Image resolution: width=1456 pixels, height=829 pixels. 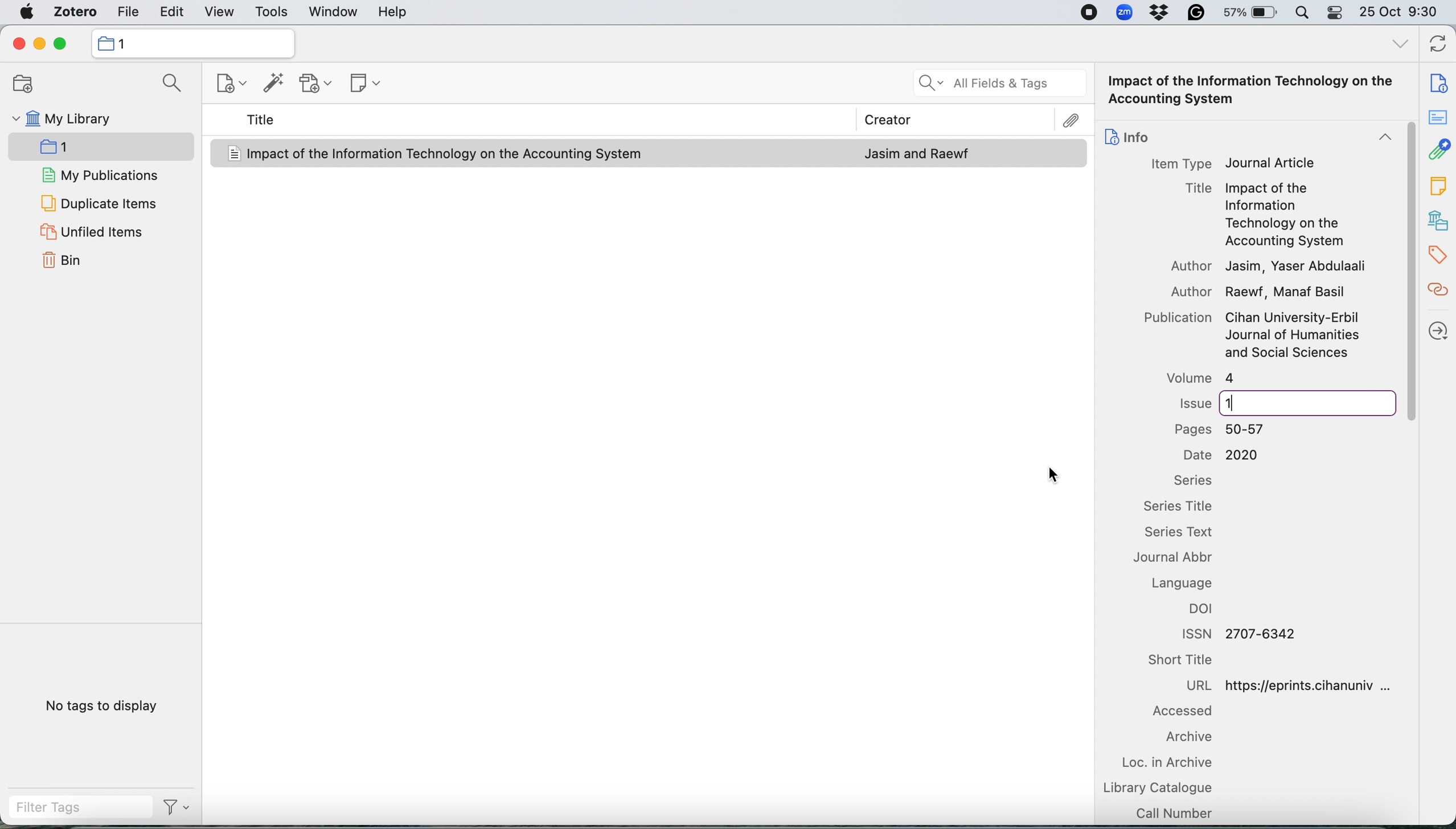 What do you see at coordinates (1183, 738) in the screenshot?
I see `archive` at bounding box center [1183, 738].